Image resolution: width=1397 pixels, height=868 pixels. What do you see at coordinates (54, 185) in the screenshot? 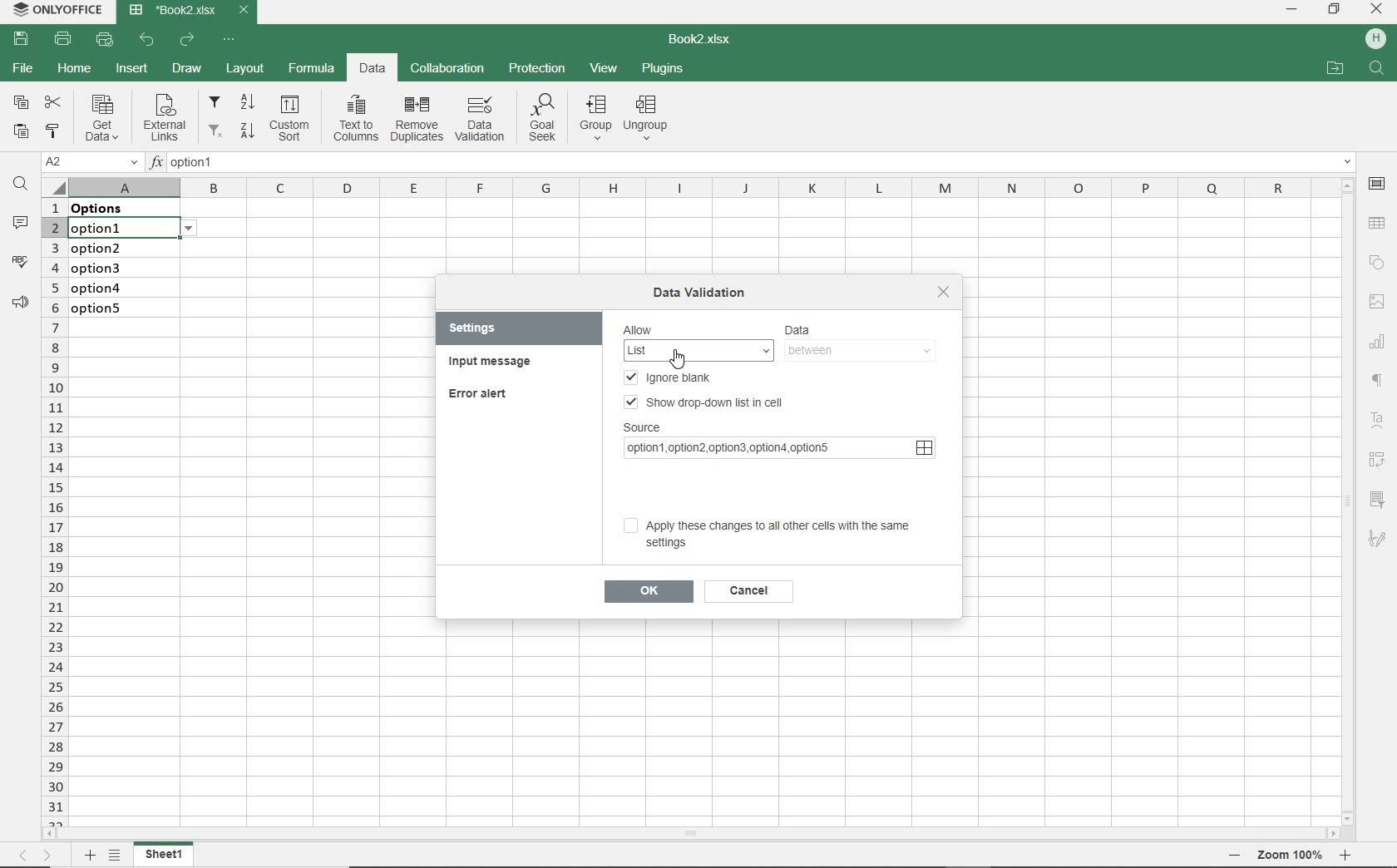
I see `Select all` at bounding box center [54, 185].